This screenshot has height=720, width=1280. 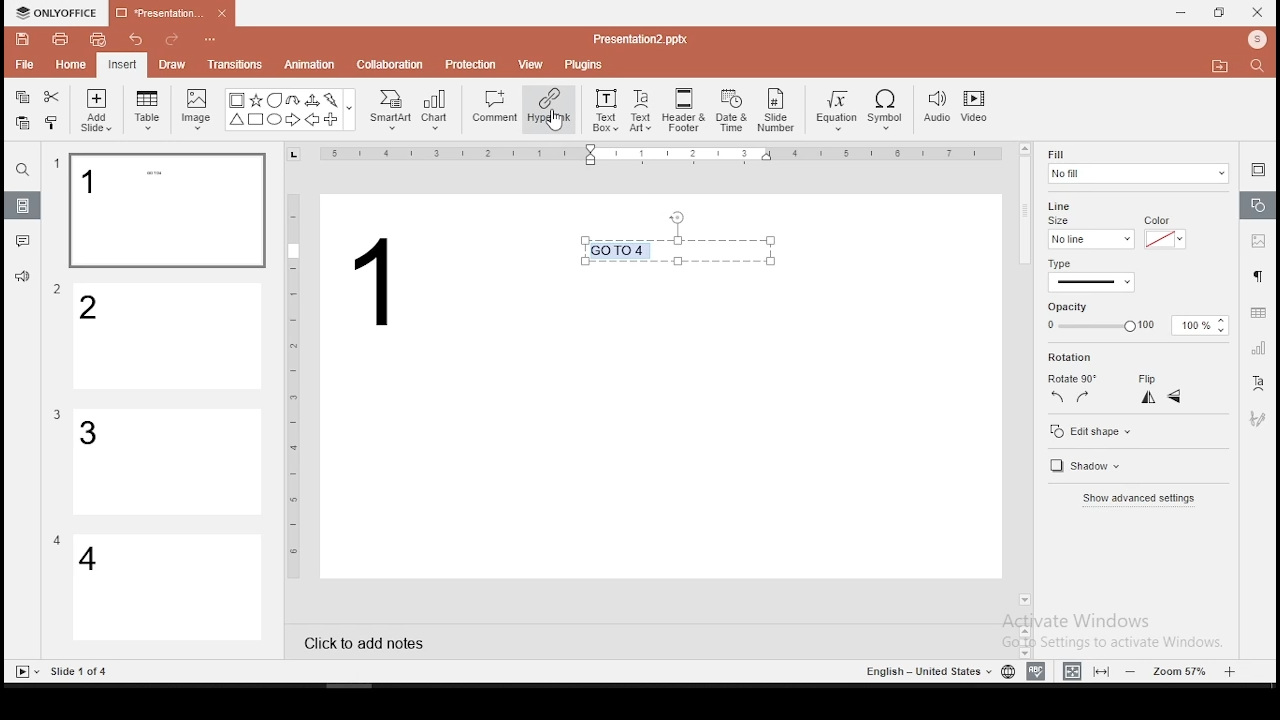 What do you see at coordinates (1090, 276) in the screenshot?
I see `line type` at bounding box center [1090, 276].